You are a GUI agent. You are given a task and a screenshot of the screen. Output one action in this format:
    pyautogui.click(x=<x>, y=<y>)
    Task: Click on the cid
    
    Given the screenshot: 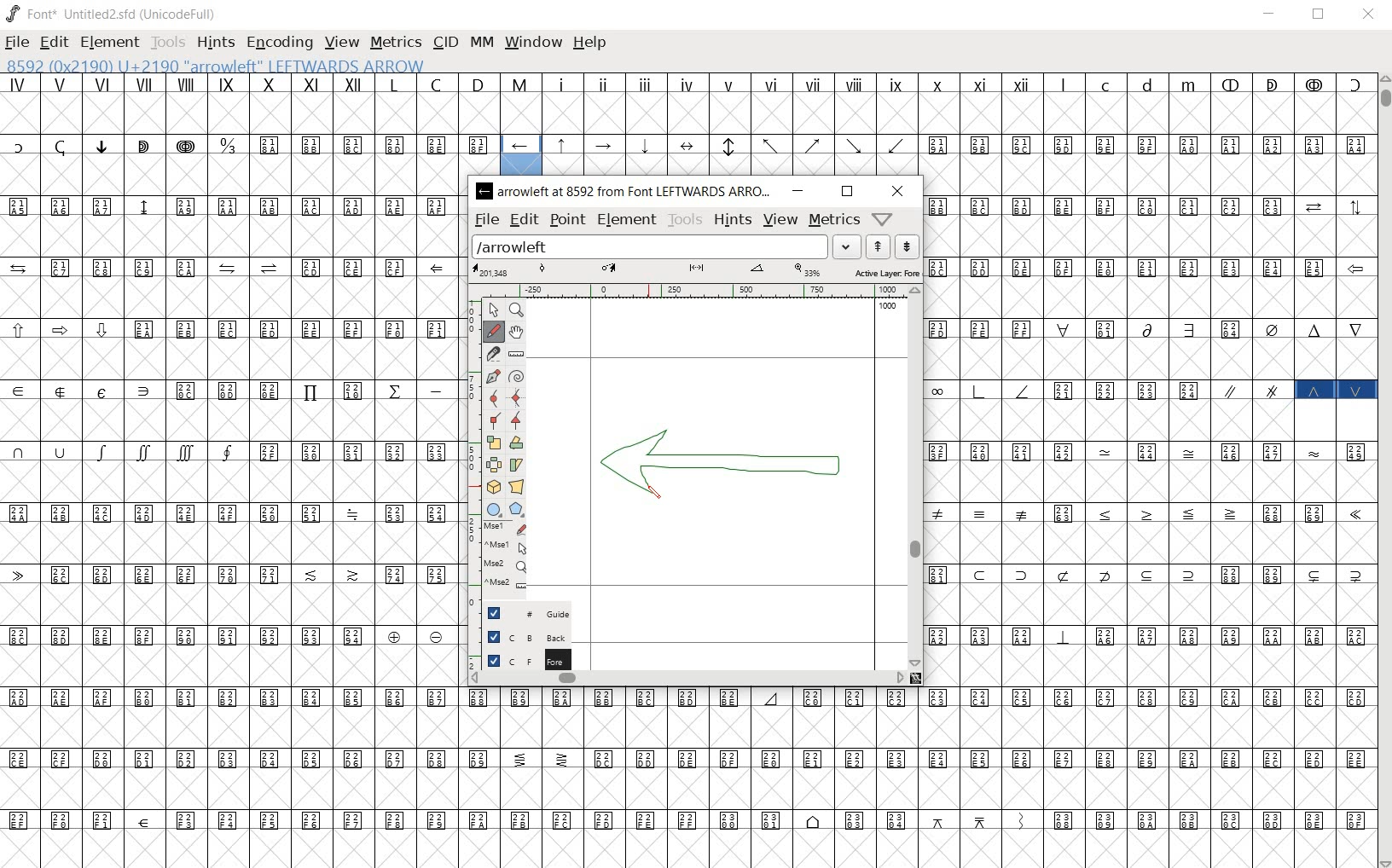 What is the action you would take?
    pyautogui.click(x=444, y=43)
    